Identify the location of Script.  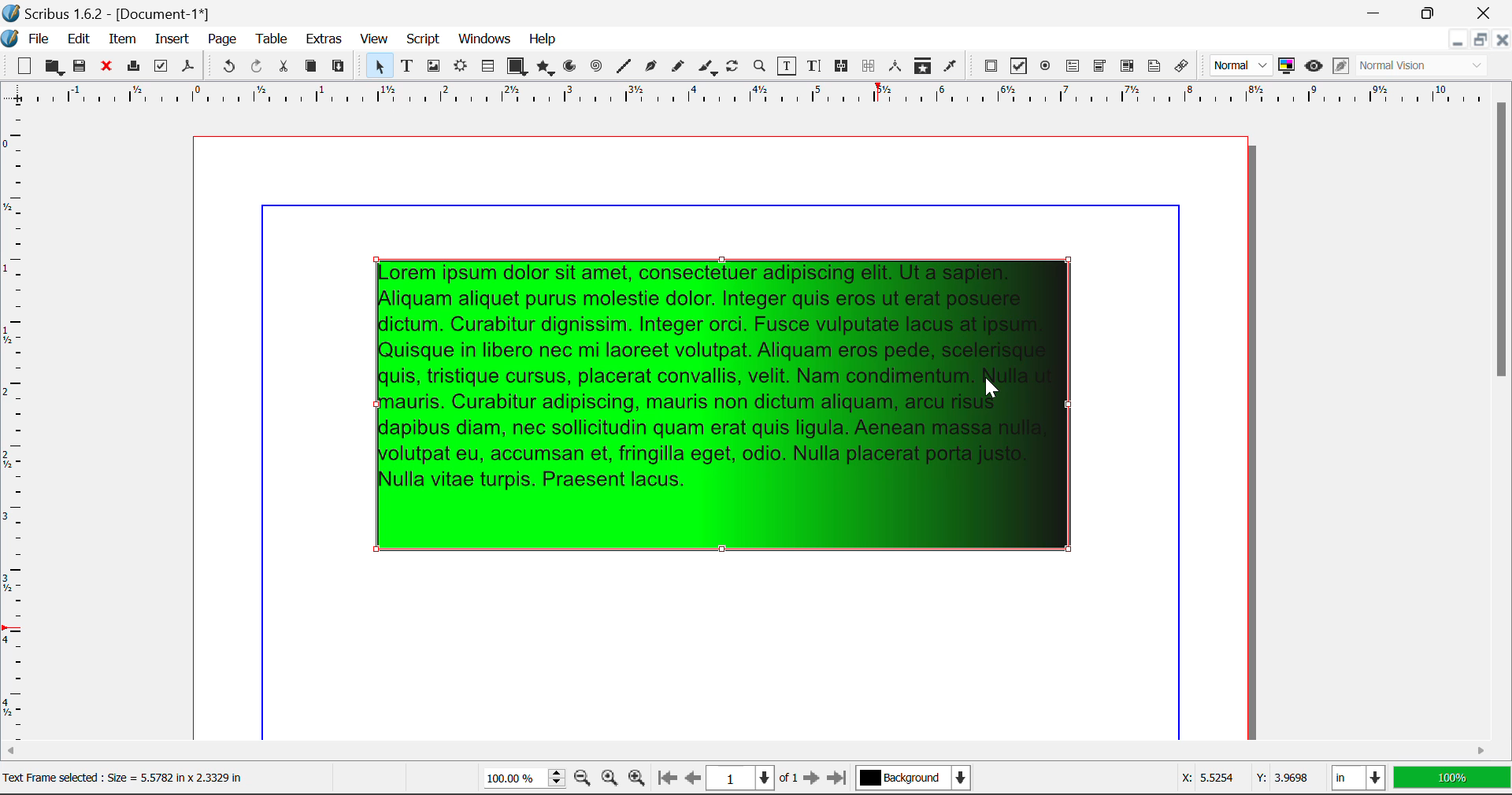
(424, 39).